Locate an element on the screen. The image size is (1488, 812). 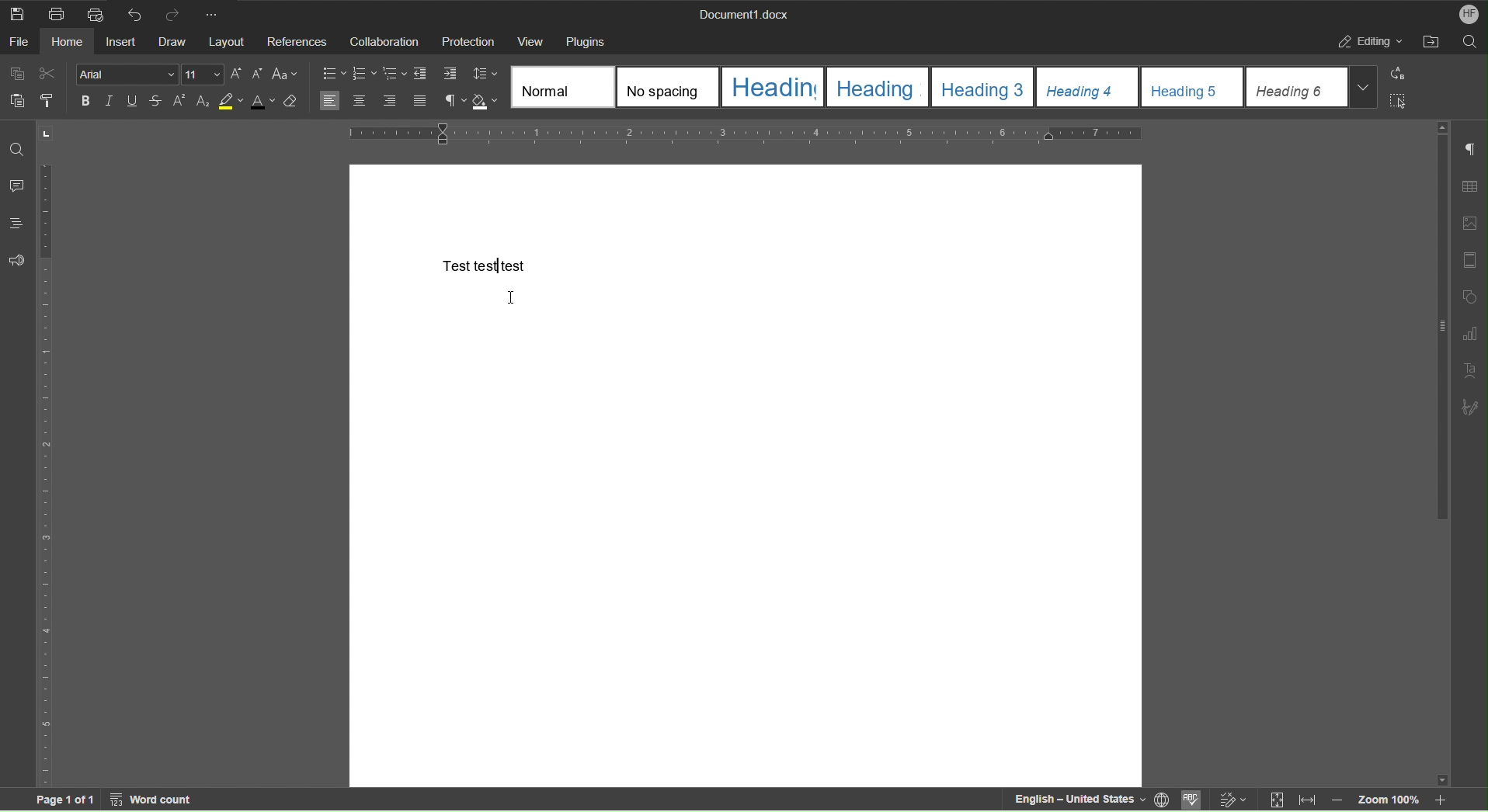
Find is located at coordinates (17, 149).